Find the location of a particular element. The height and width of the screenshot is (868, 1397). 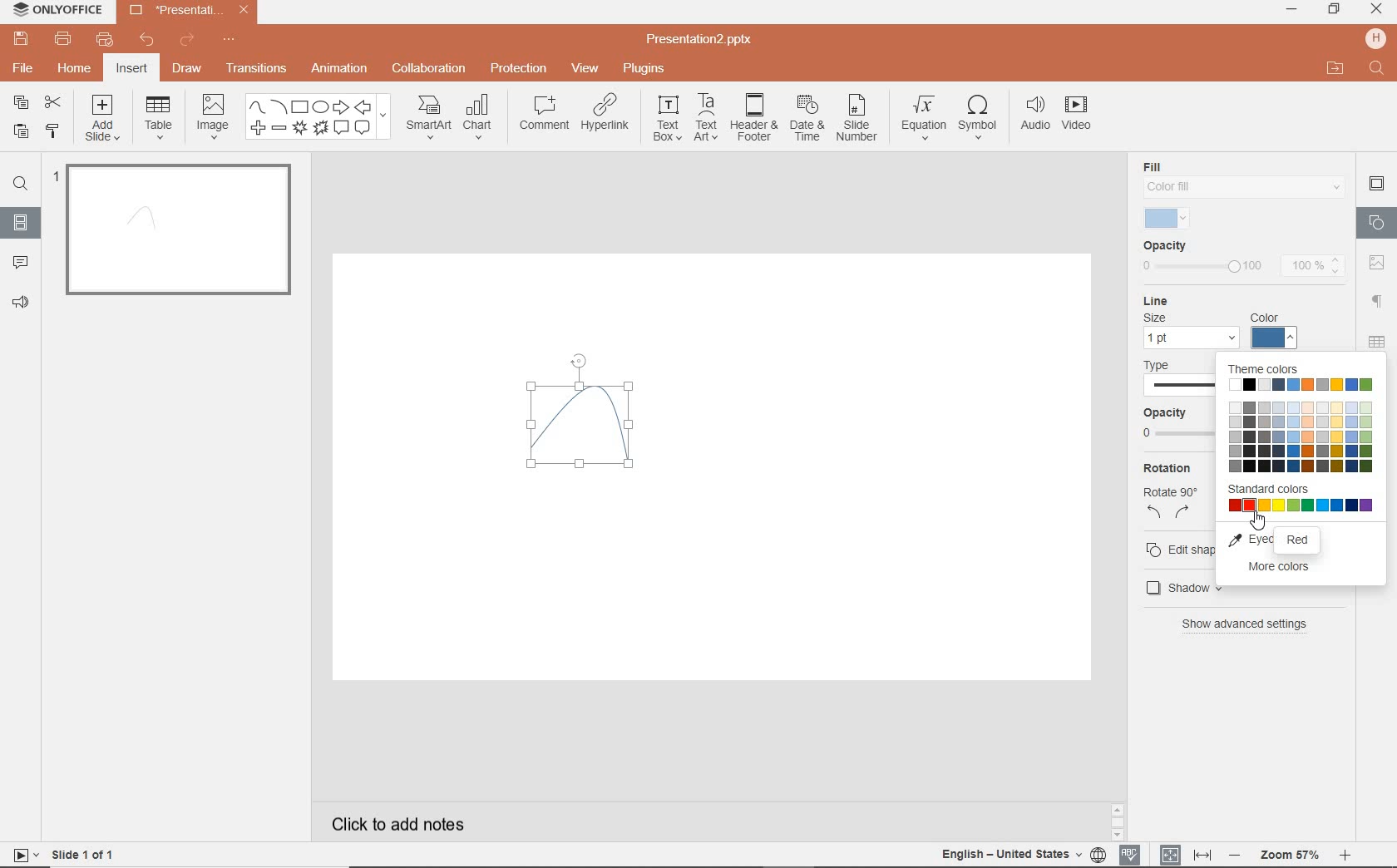

PASTE is located at coordinates (19, 131).